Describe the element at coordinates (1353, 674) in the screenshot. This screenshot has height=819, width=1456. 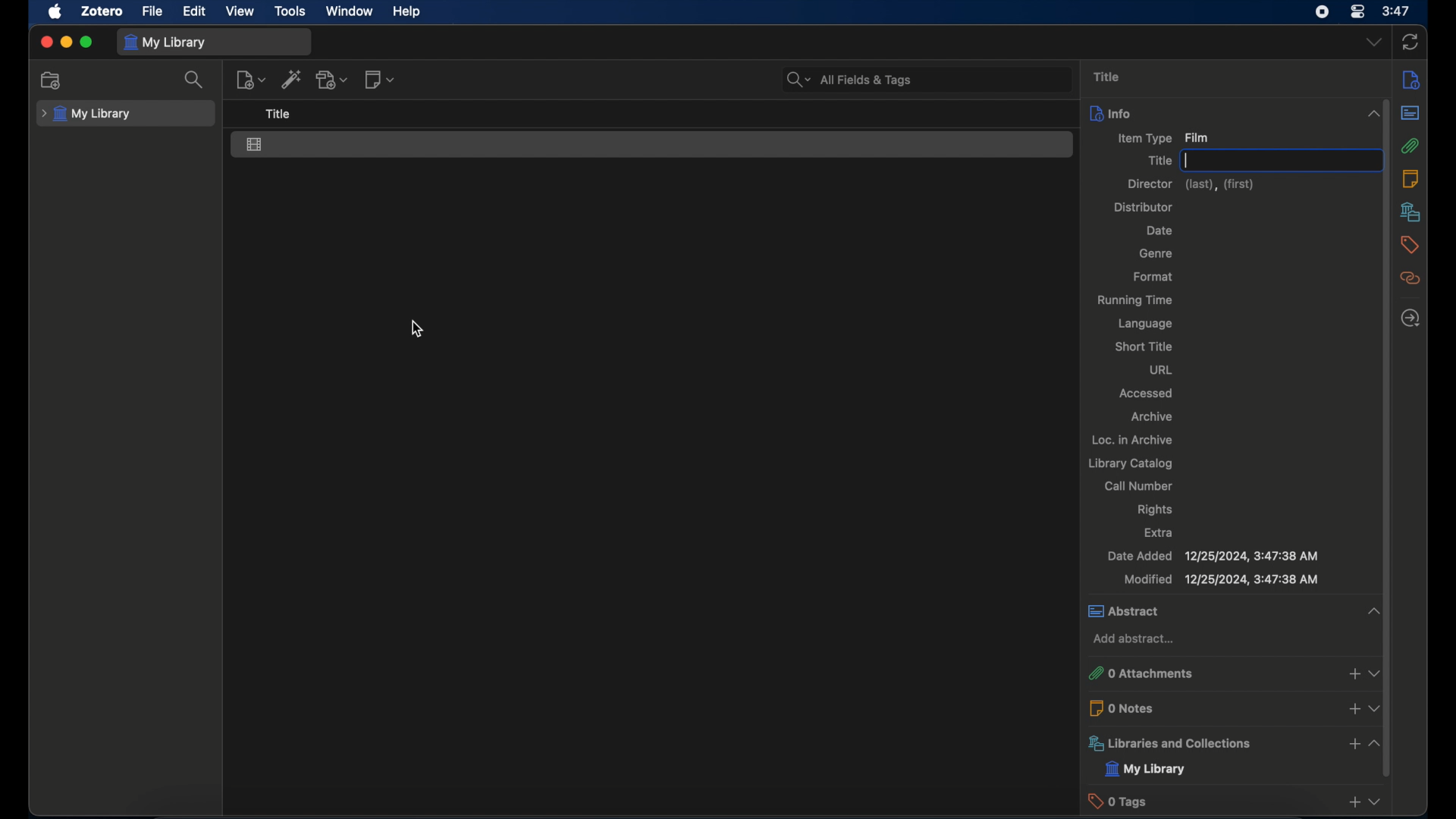
I see `add attachments` at that location.